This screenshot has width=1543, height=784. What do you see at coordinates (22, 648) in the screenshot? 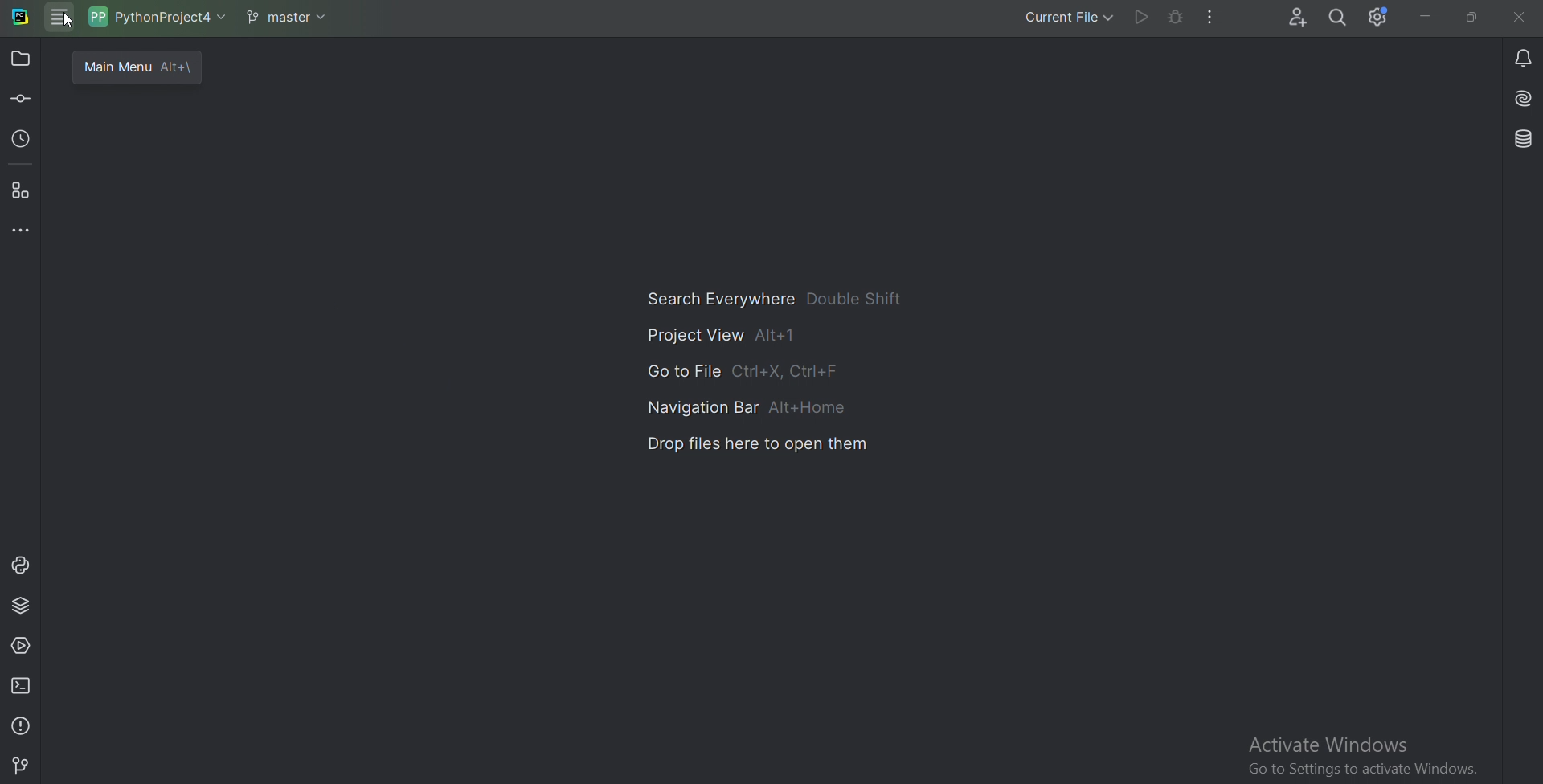
I see `Services` at bounding box center [22, 648].